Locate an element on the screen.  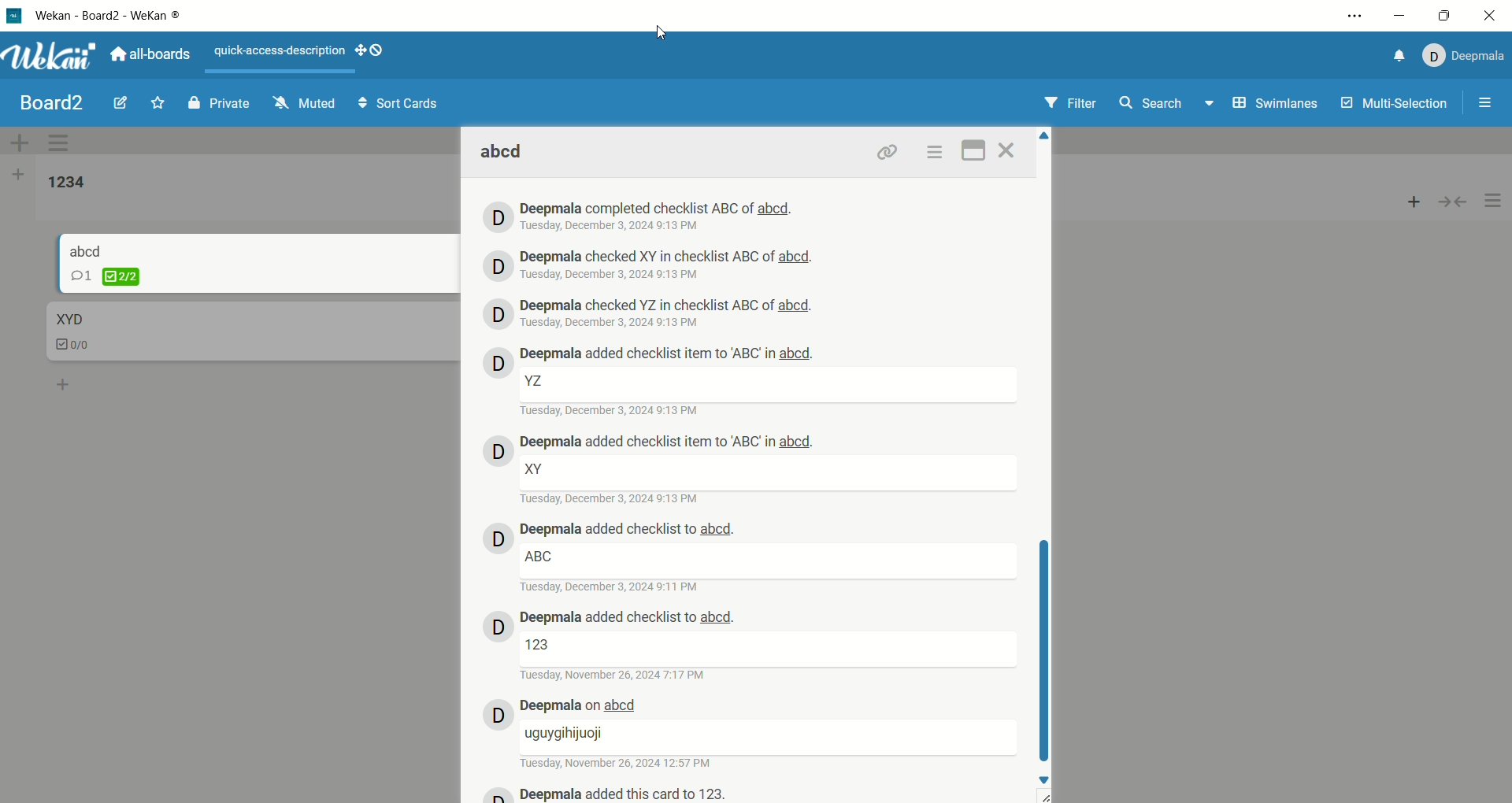
maximize is located at coordinates (975, 149).